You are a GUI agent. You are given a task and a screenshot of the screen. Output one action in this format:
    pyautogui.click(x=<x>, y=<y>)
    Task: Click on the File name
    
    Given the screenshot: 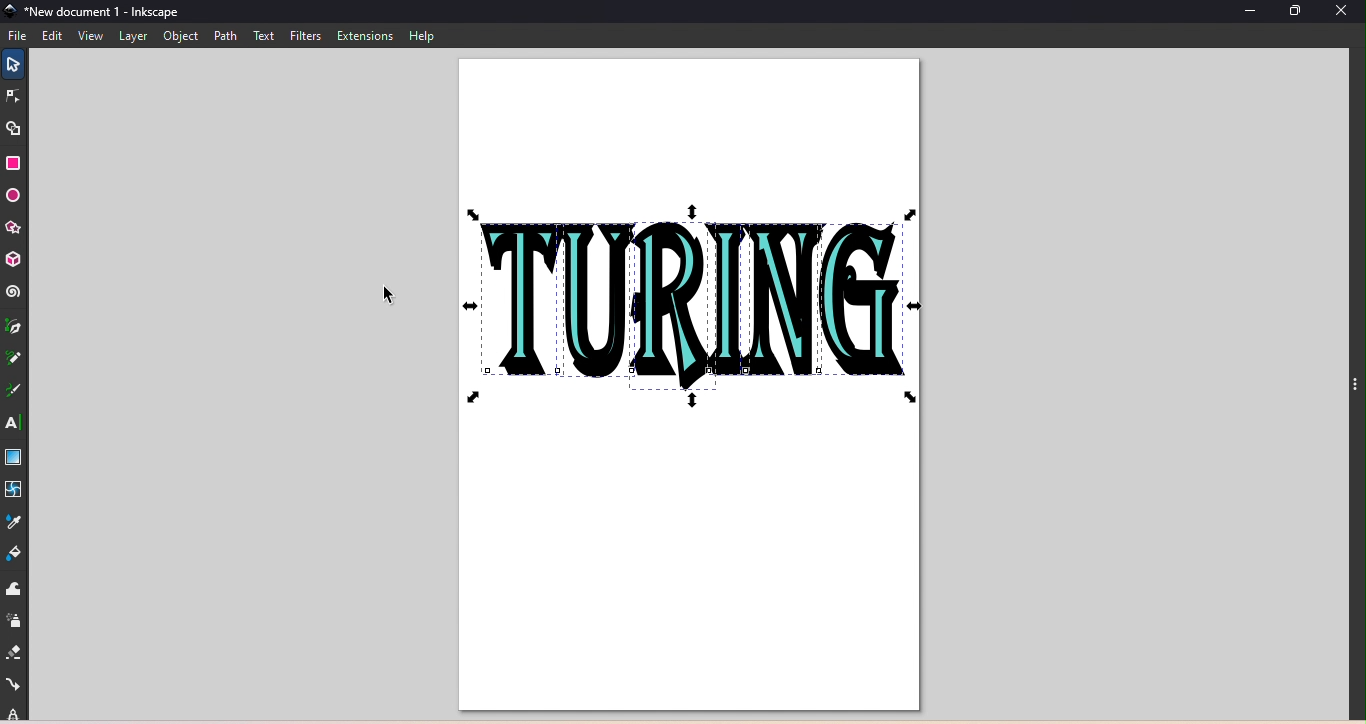 What is the action you would take?
    pyautogui.click(x=94, y=13)
    